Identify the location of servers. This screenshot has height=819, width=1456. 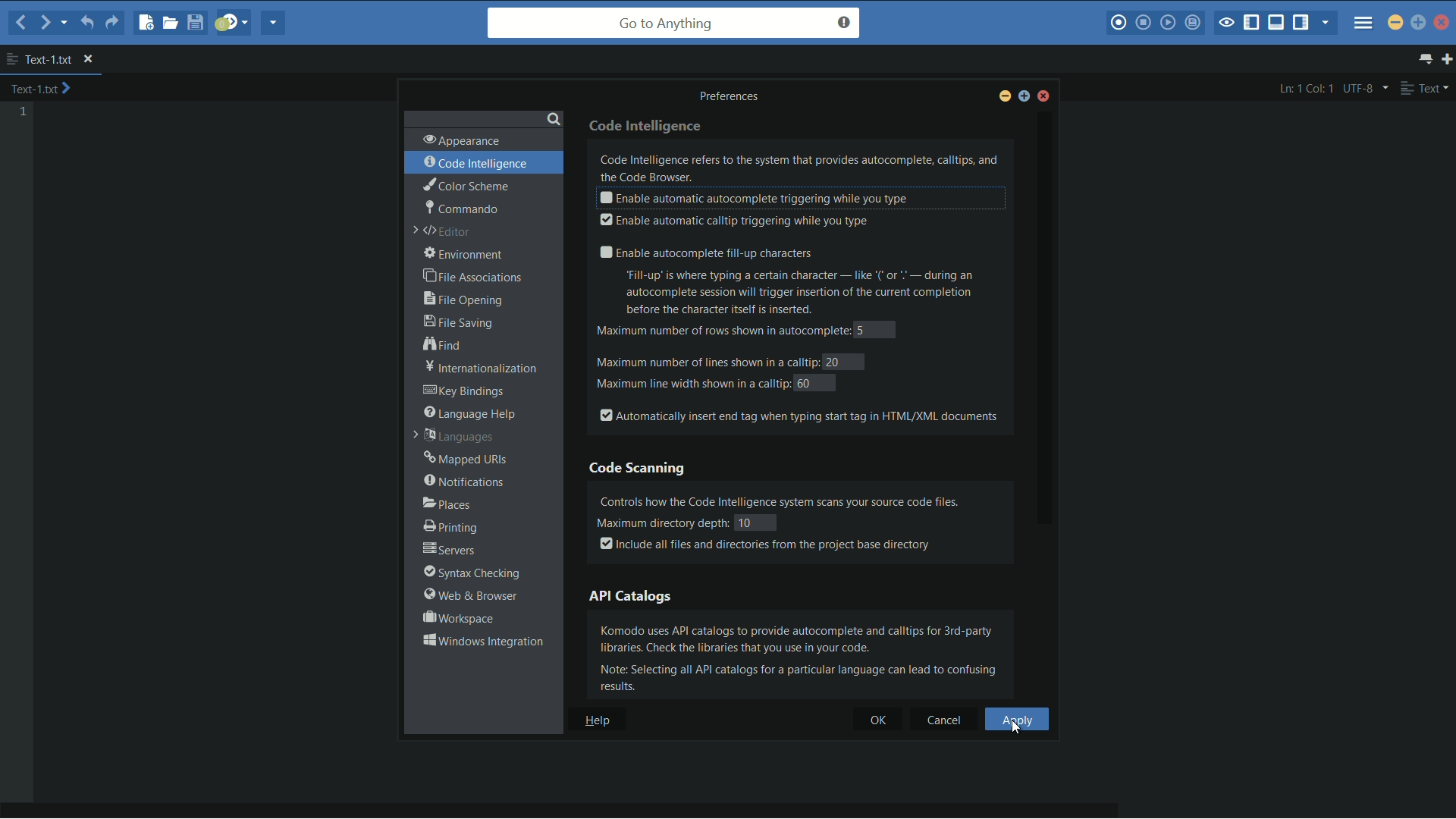
(450, 551).